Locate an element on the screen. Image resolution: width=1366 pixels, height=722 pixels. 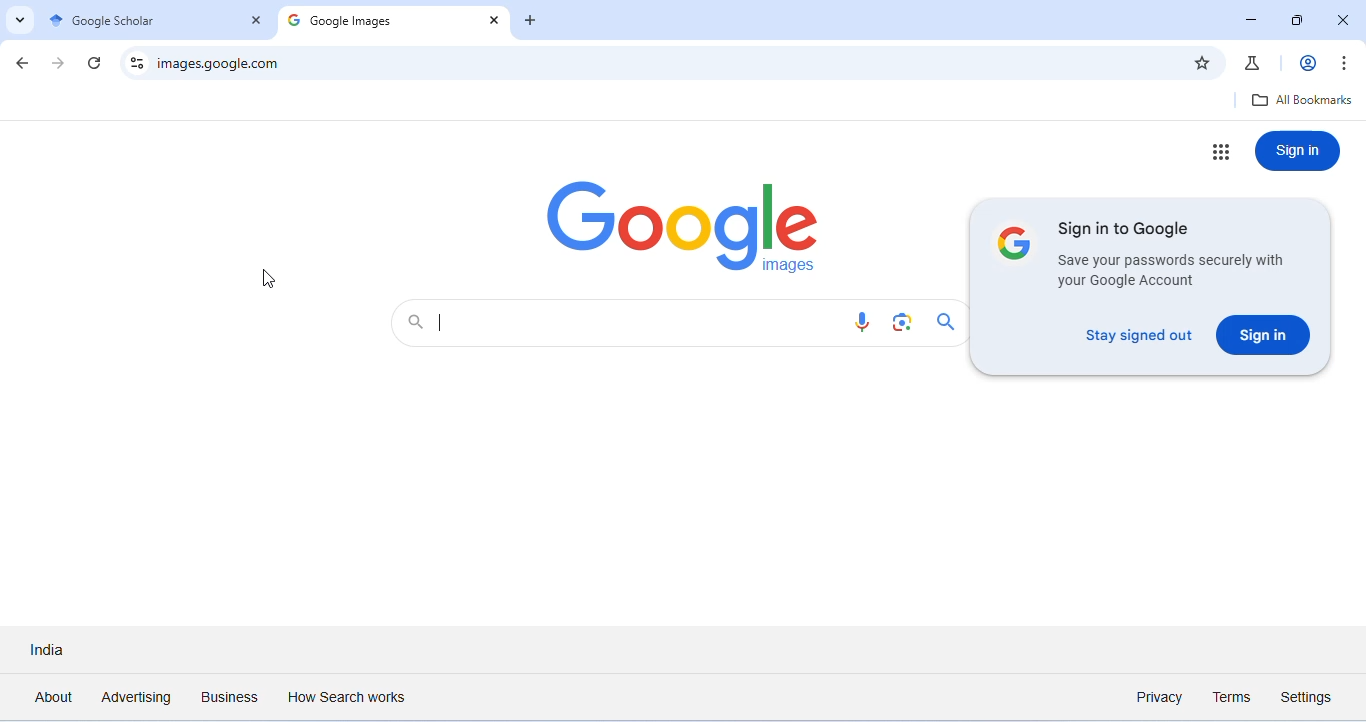
add new tab is located at coordinates (530, 19).